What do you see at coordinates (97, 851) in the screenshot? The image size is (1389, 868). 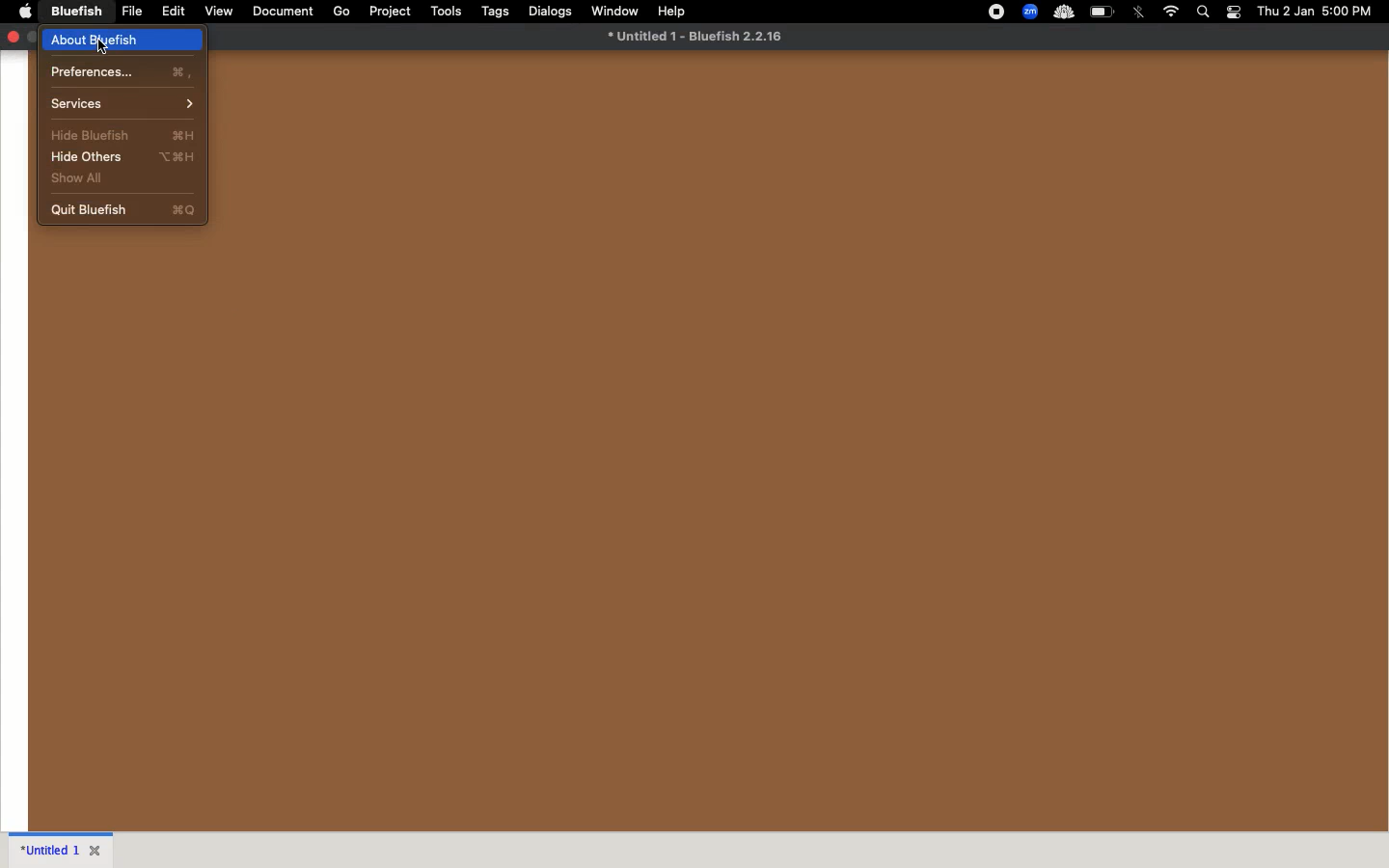 I see `Close` at bounding box center [97, 851].